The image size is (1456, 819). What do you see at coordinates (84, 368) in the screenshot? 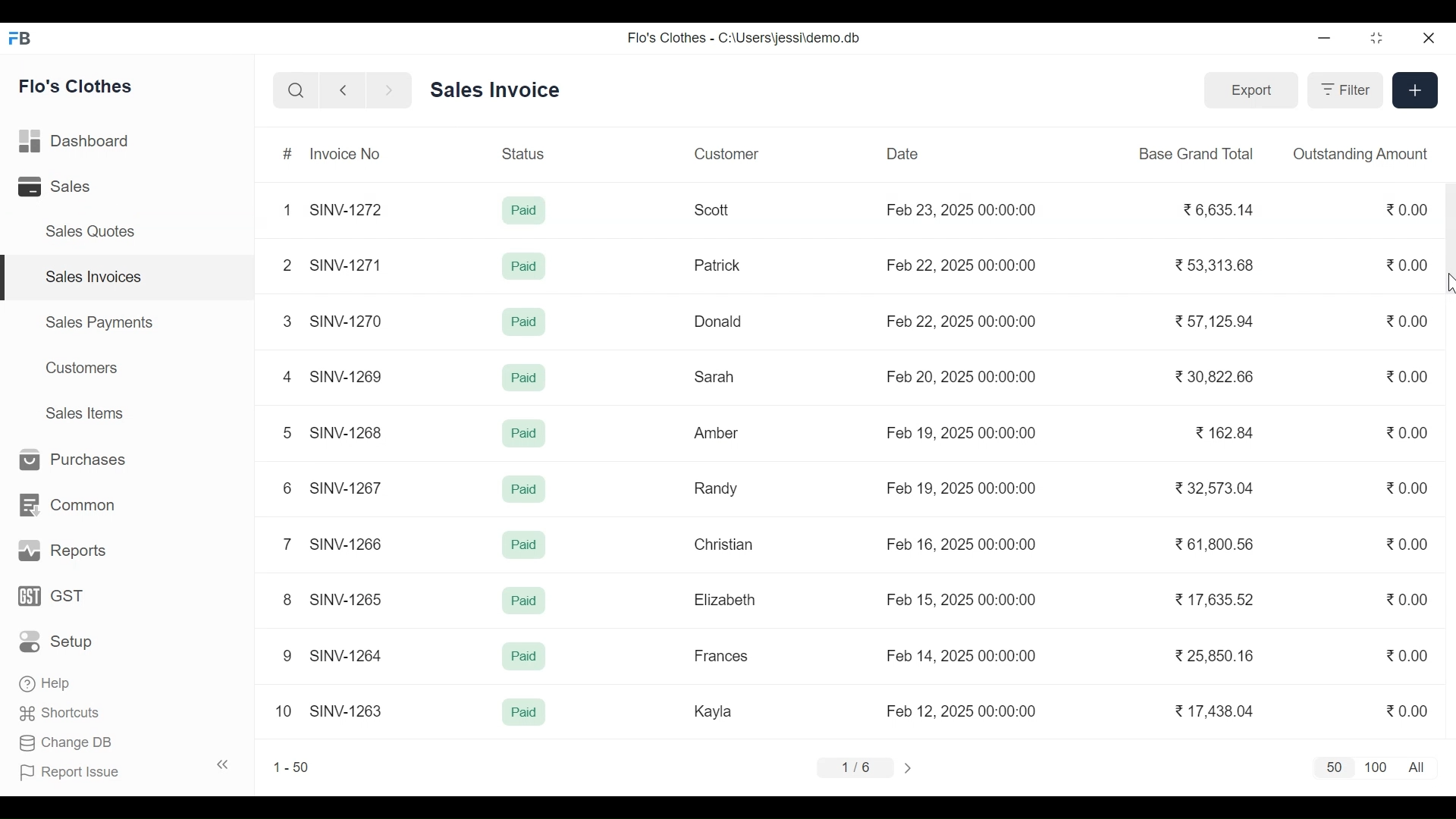
I see `Customers` at bounding box center [84, 368].